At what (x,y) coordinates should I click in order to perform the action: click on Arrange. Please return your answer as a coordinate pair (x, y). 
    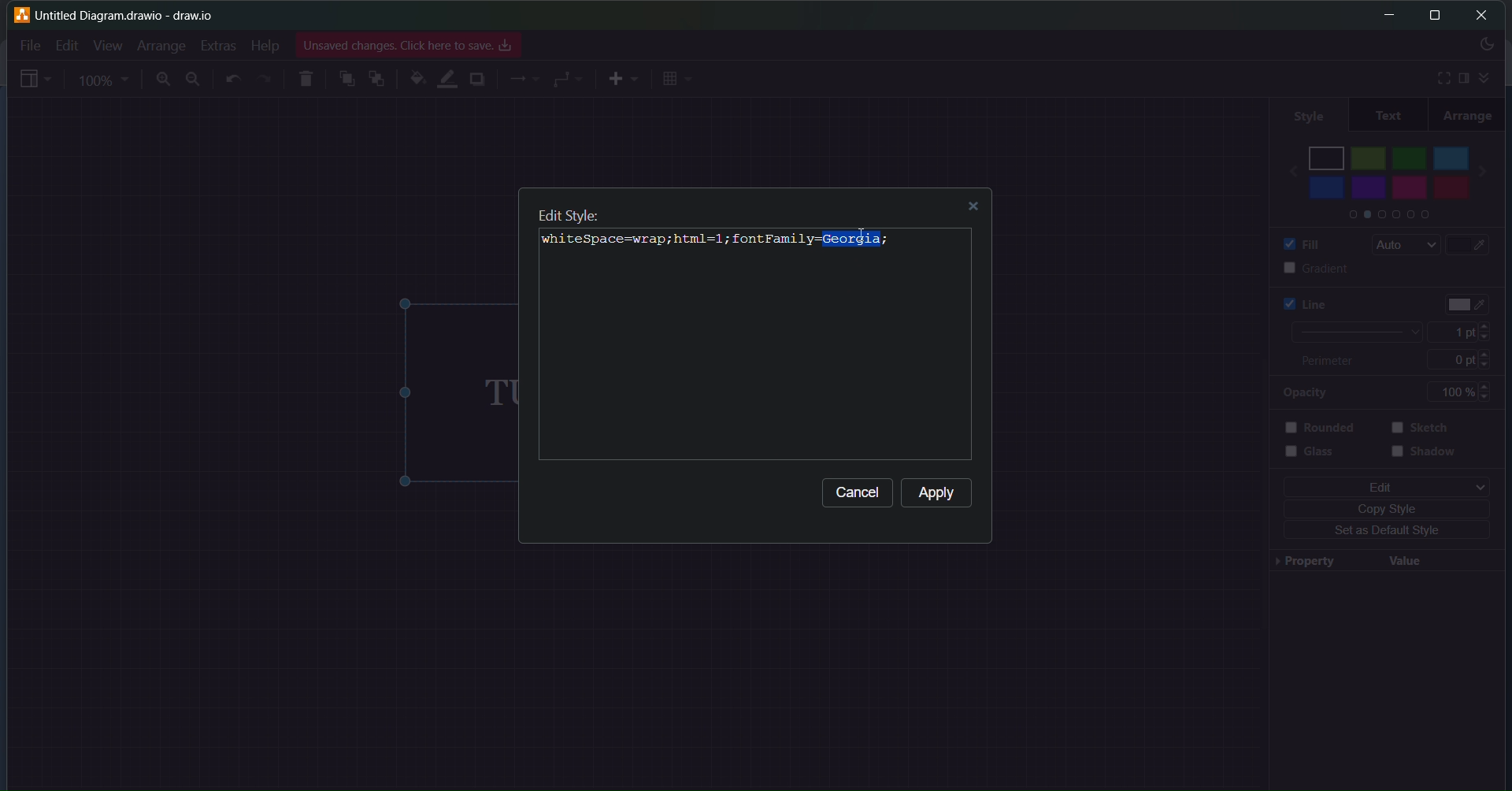
    Looking at the image, I should click on (161, 45).